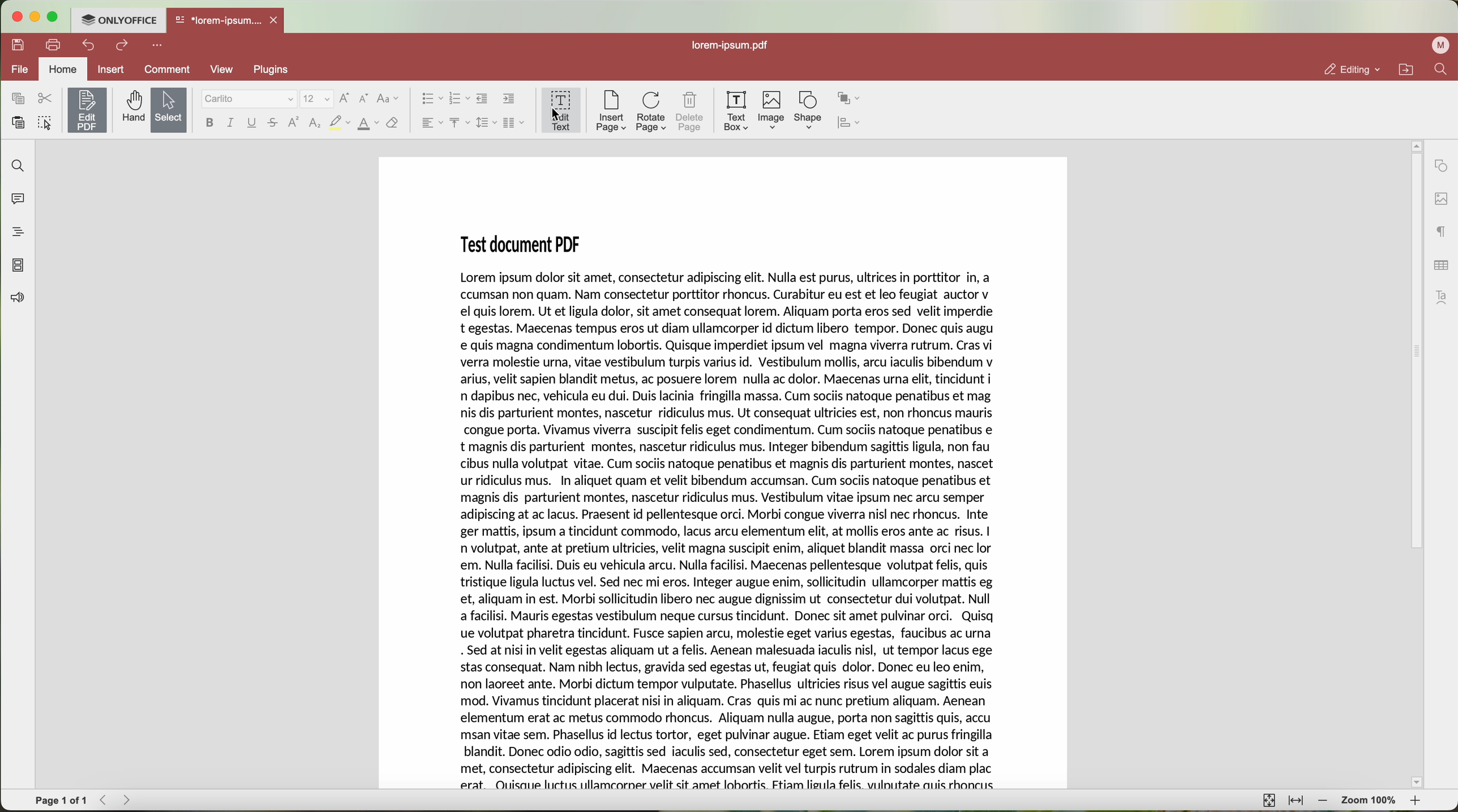 The image size is (1458, 812). I want to click on home, so click(63, 68).